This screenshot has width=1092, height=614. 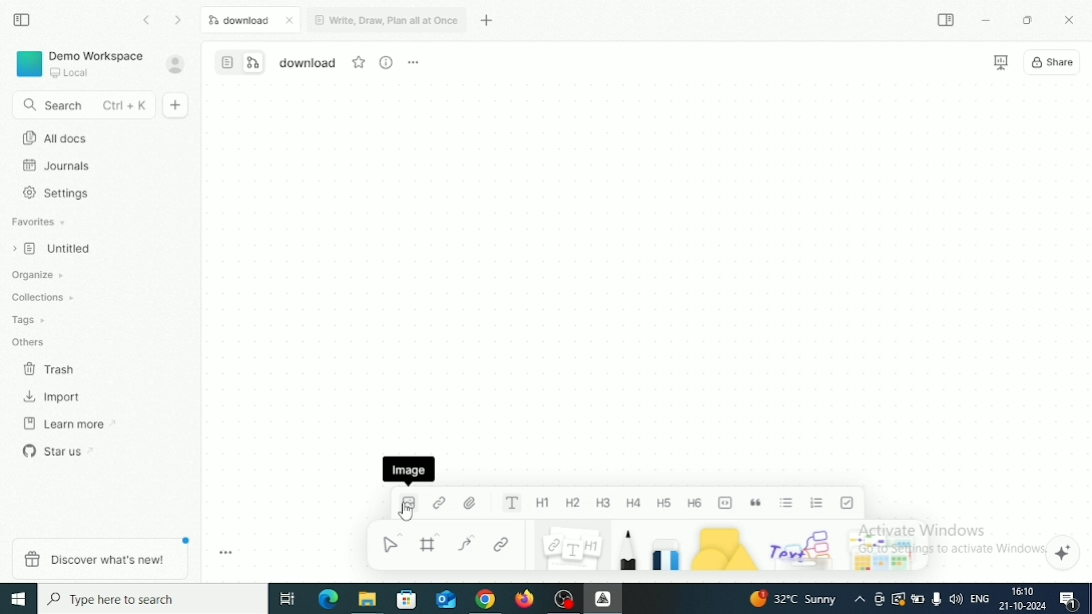 What do you see at coordinates (414, 62) in the screenshot?
I see `More` at bounding box center [414, 62].